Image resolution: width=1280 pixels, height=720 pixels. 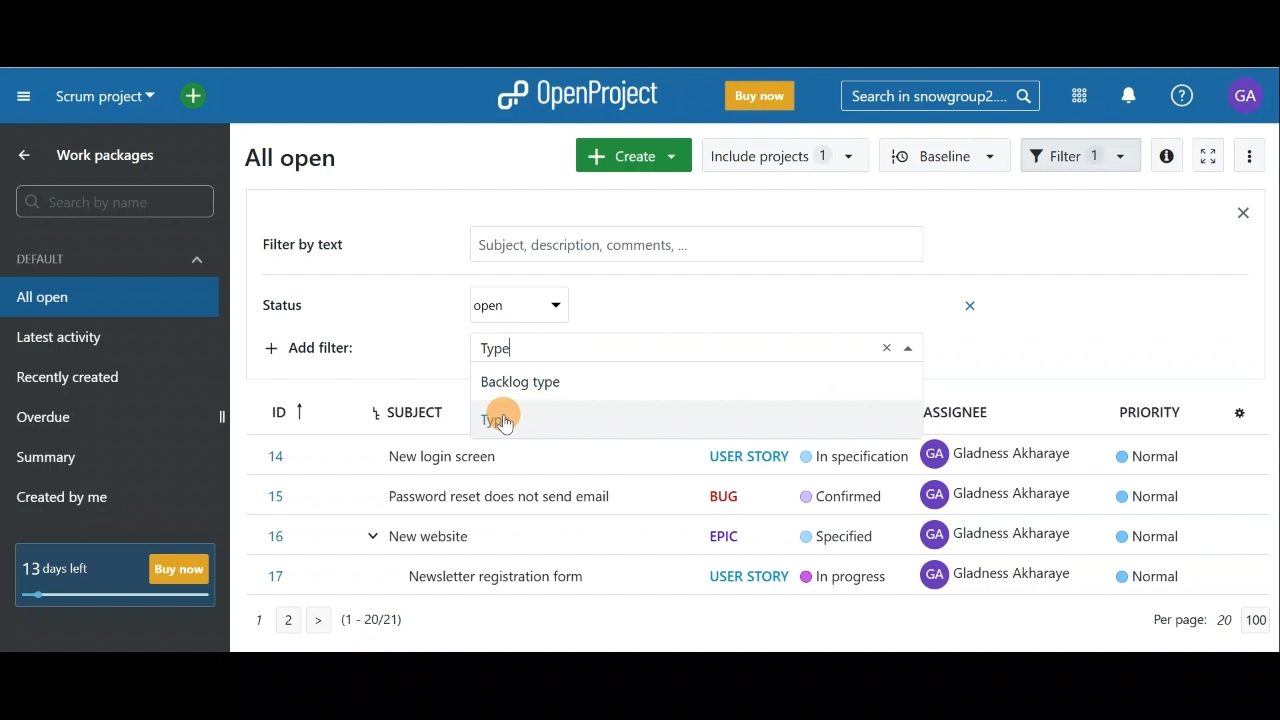 I want to click on Page count, so click(x=1205, y=622).